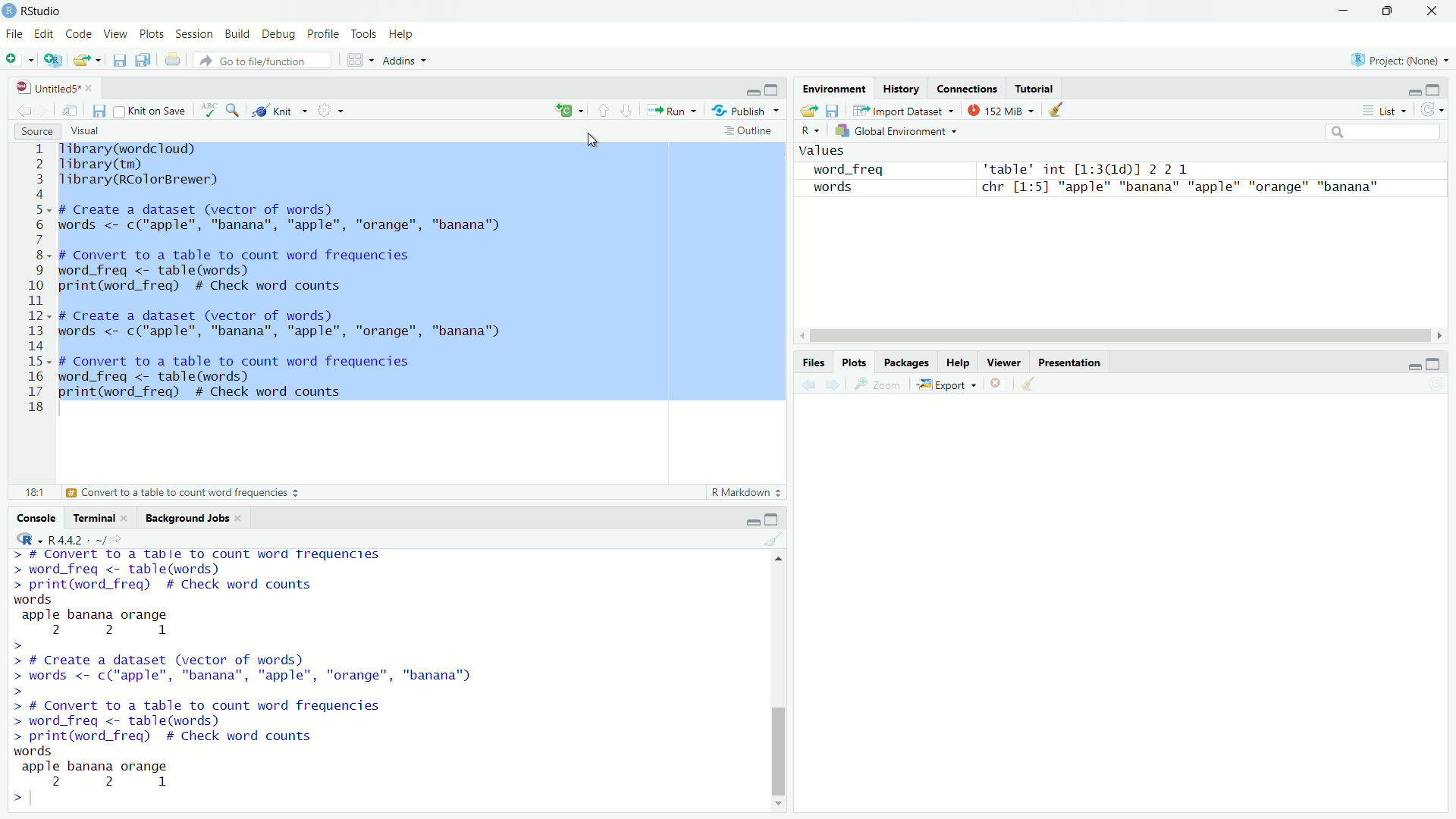 This screenshot has height=819, width=1456. I want to click on Addins, so click(405, 61).